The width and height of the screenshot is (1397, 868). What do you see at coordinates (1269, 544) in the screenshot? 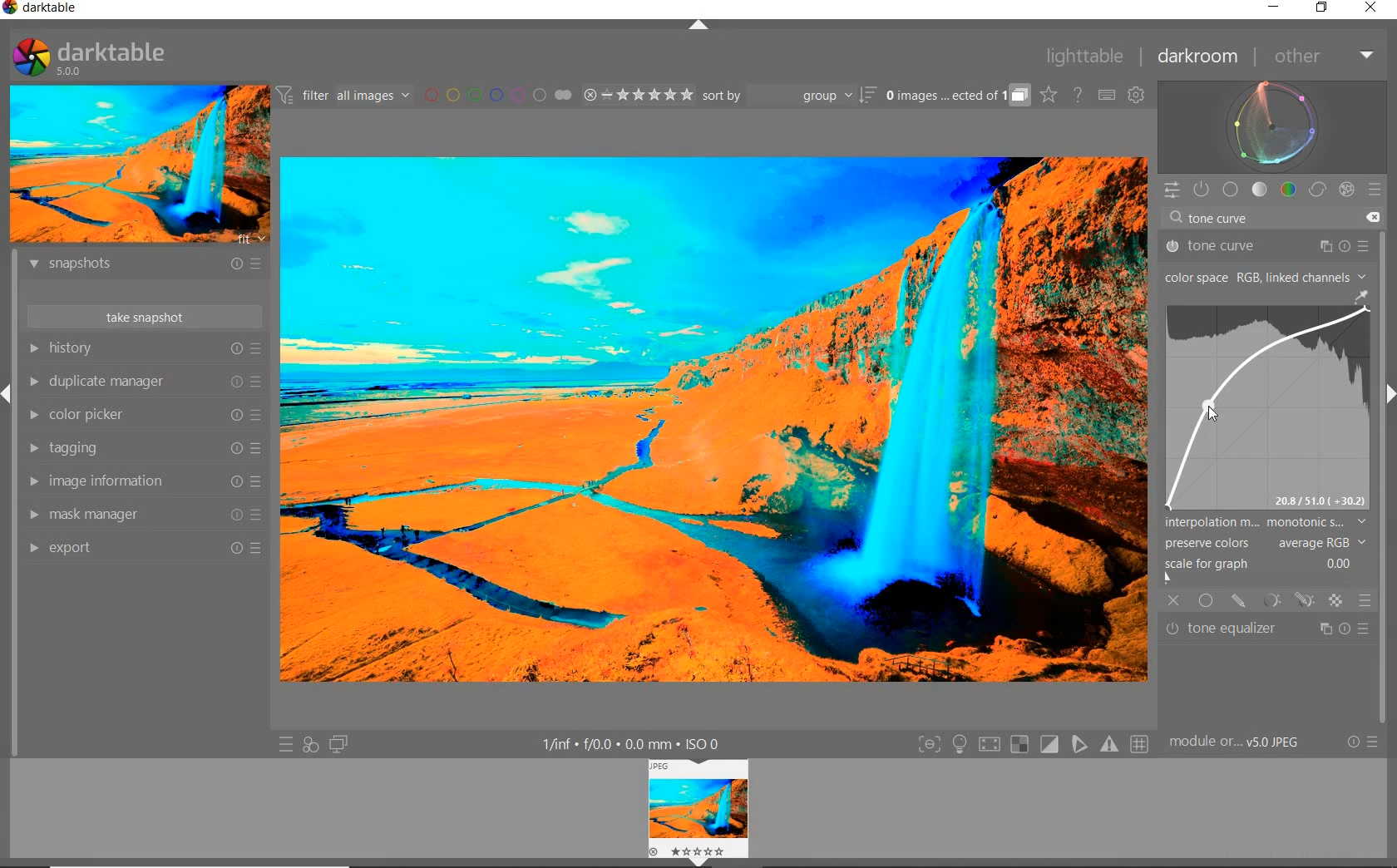
I see `PRESERVE COLORS` at bounding box center [1269, 544].